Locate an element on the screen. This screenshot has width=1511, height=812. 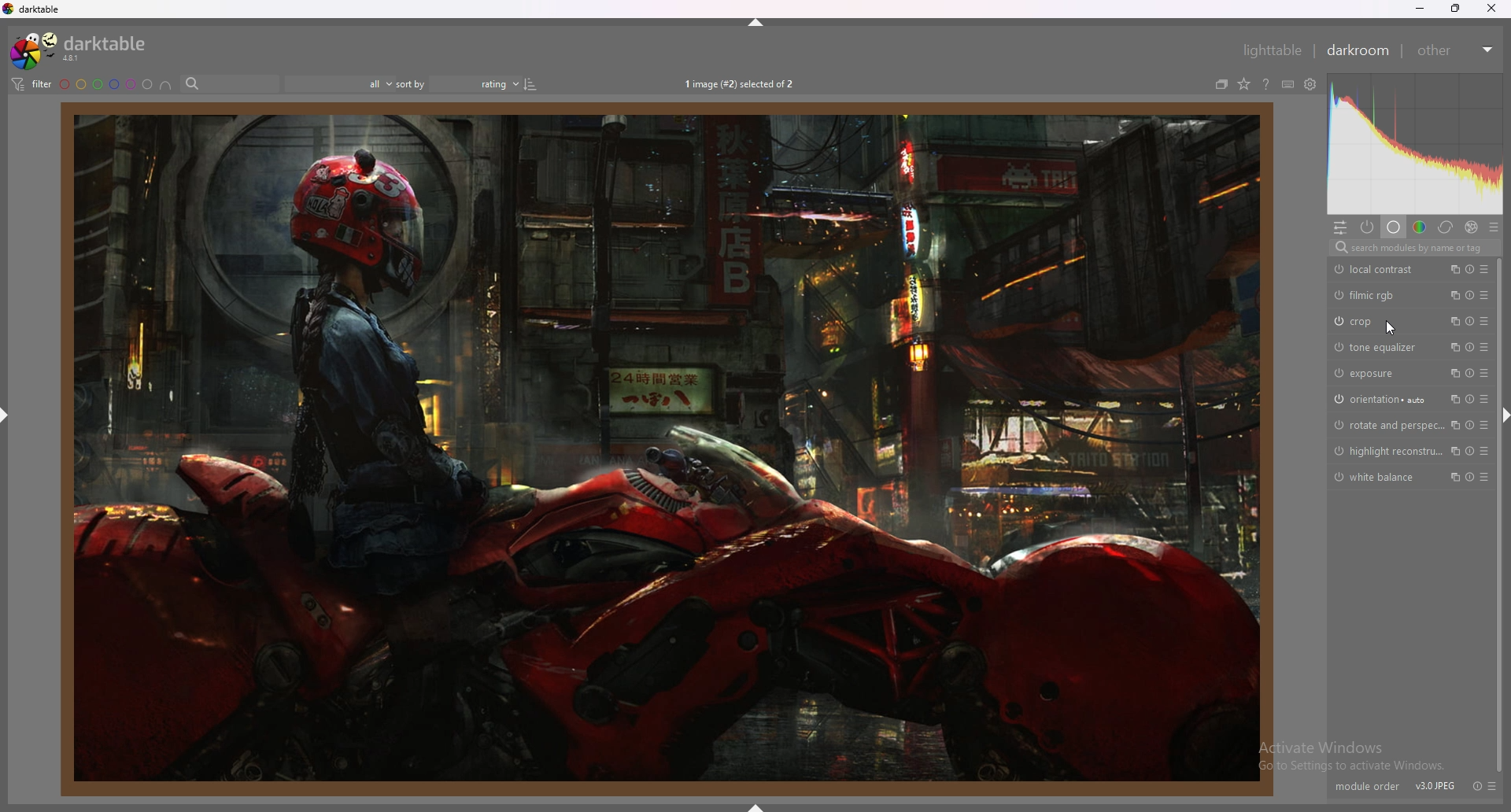
minimize is located at coordinates (1418, 9).